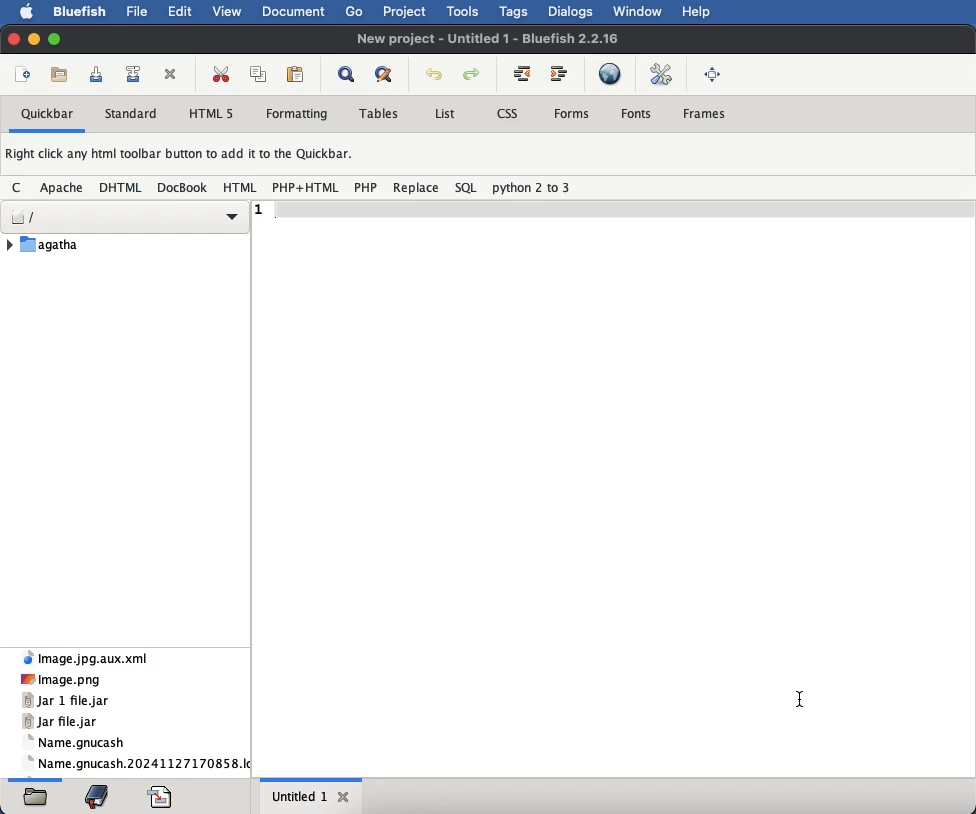 The image size is (976, 814). What do you see at coordinates (69, 700) in the screenshot?
I see `Jar 1 file jar` at bounding box center [69, 700].